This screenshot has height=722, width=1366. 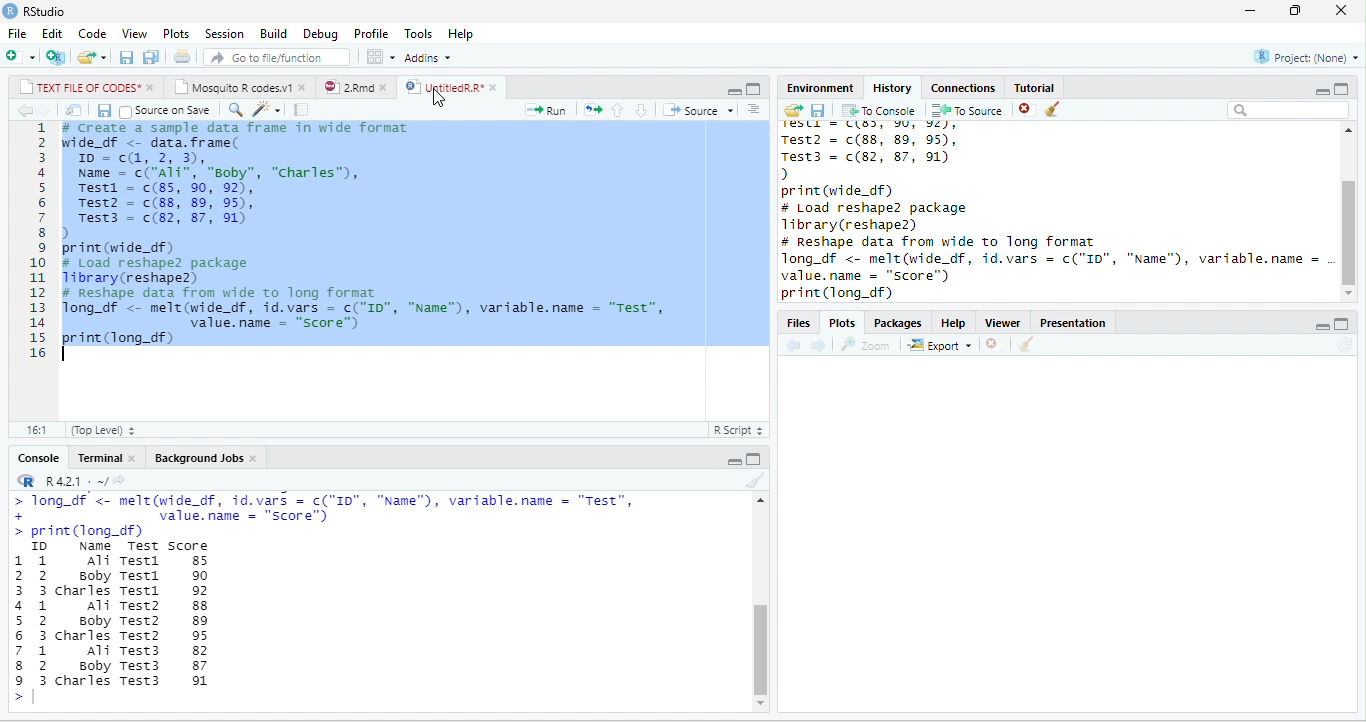 I want to click on Code, so click(x=92, y=34).